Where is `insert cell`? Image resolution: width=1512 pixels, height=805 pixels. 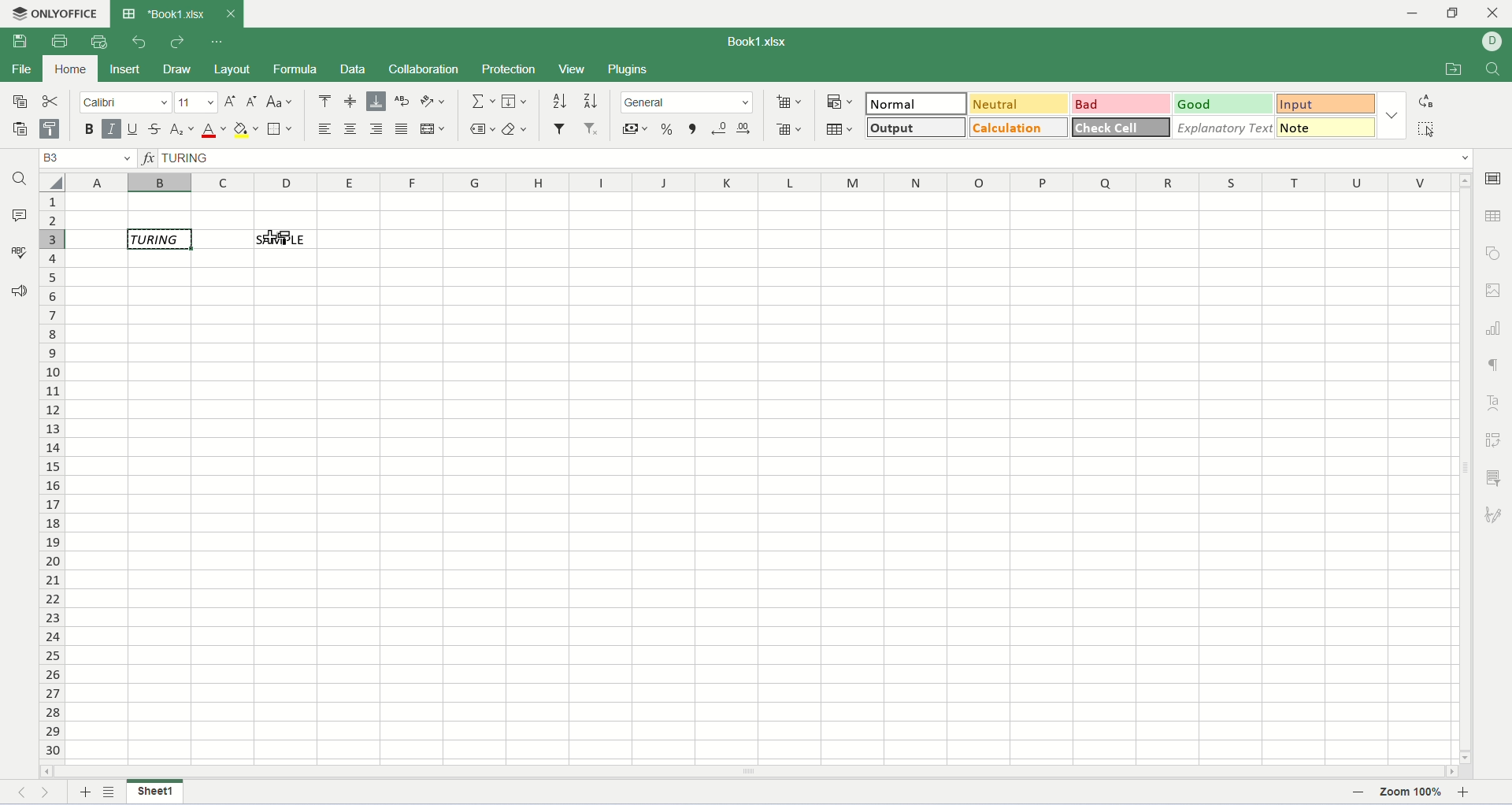 insert cell is located at coordinates (787, 102).